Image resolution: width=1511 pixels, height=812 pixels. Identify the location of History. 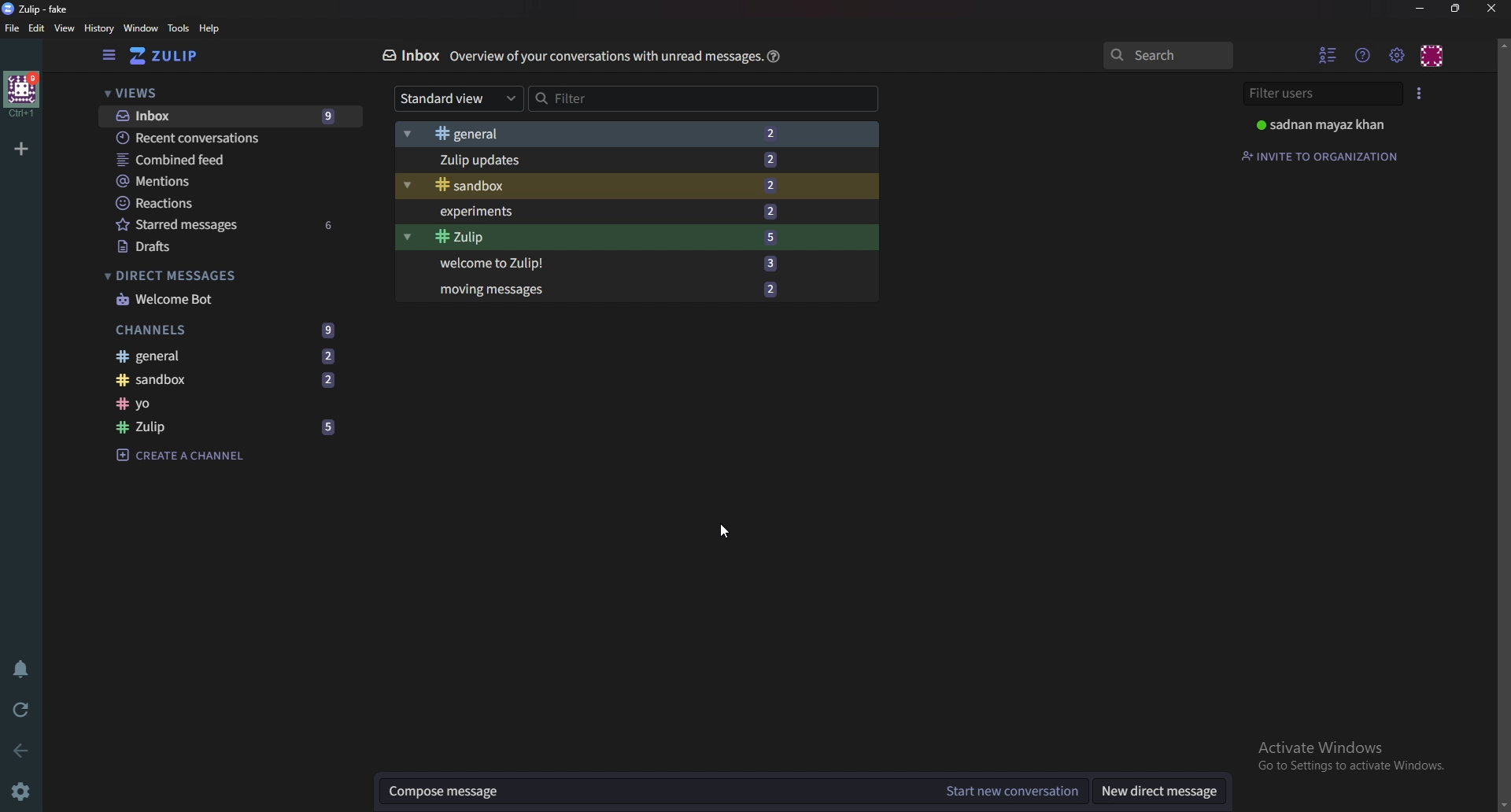
(100, 28).